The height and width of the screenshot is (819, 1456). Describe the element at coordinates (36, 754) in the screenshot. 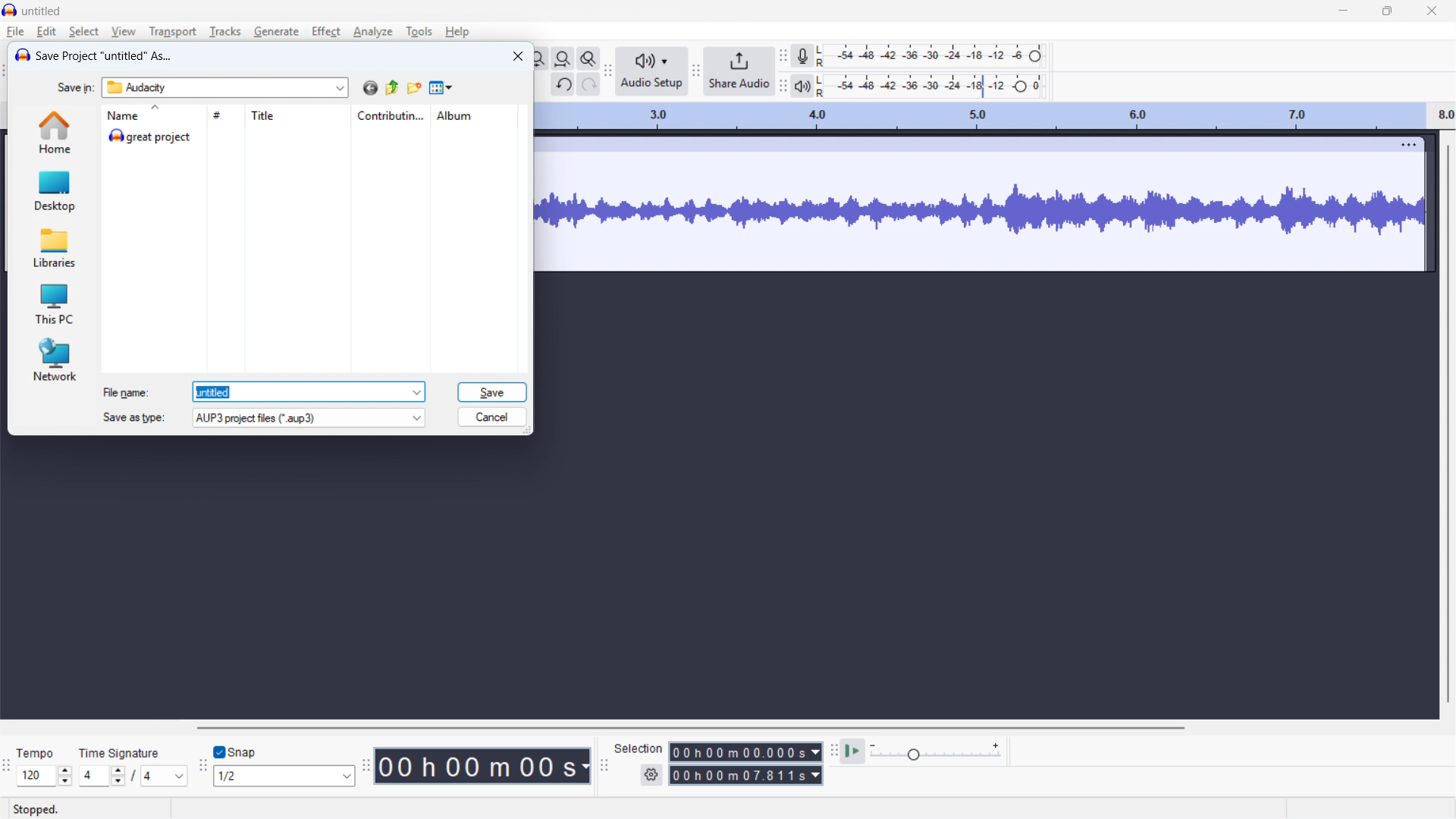

I see `tempo` at that location.